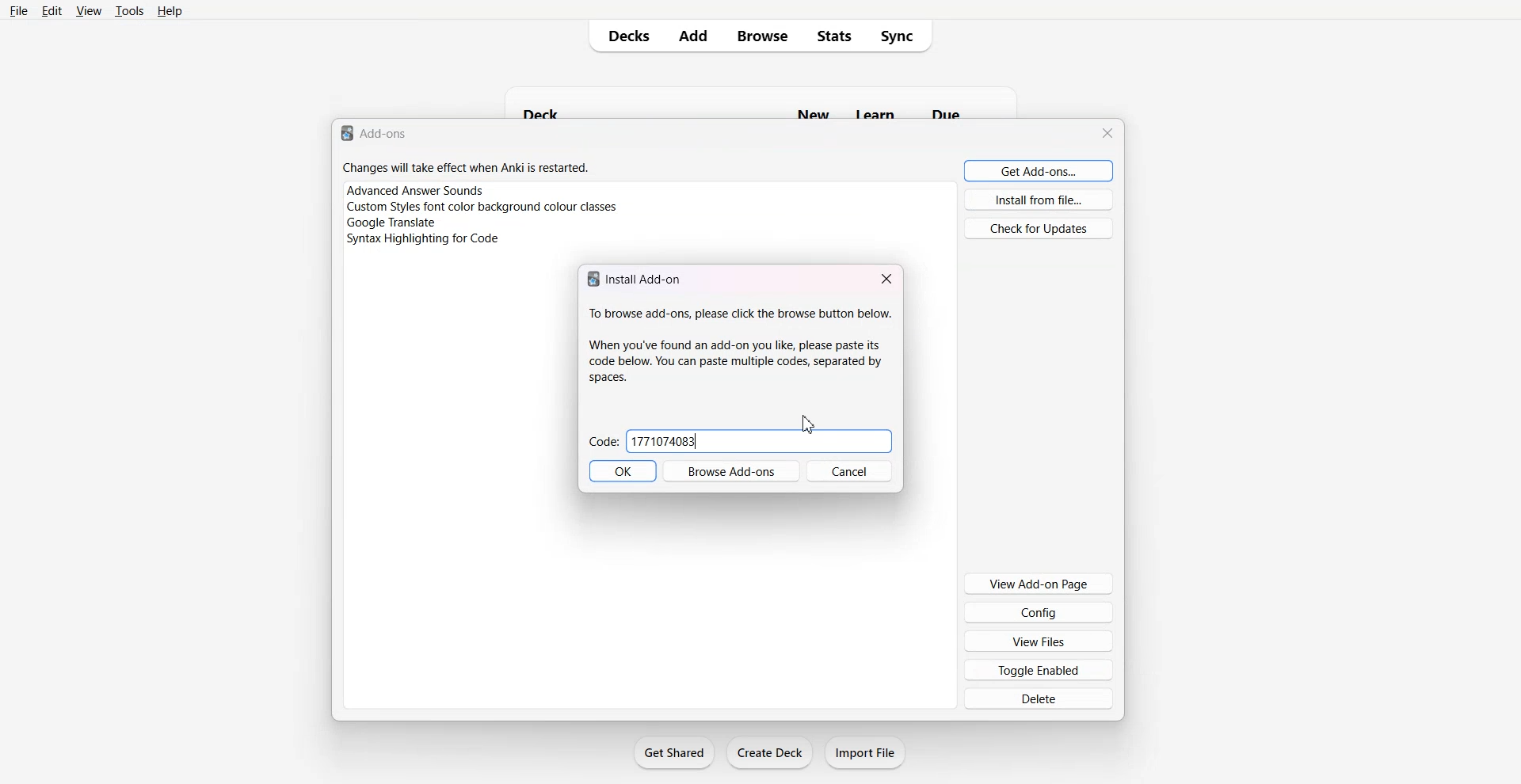 Image resolution: width=1521 pixels, height=784 pixels. I want to click on Create Deck, so click(769, 752).